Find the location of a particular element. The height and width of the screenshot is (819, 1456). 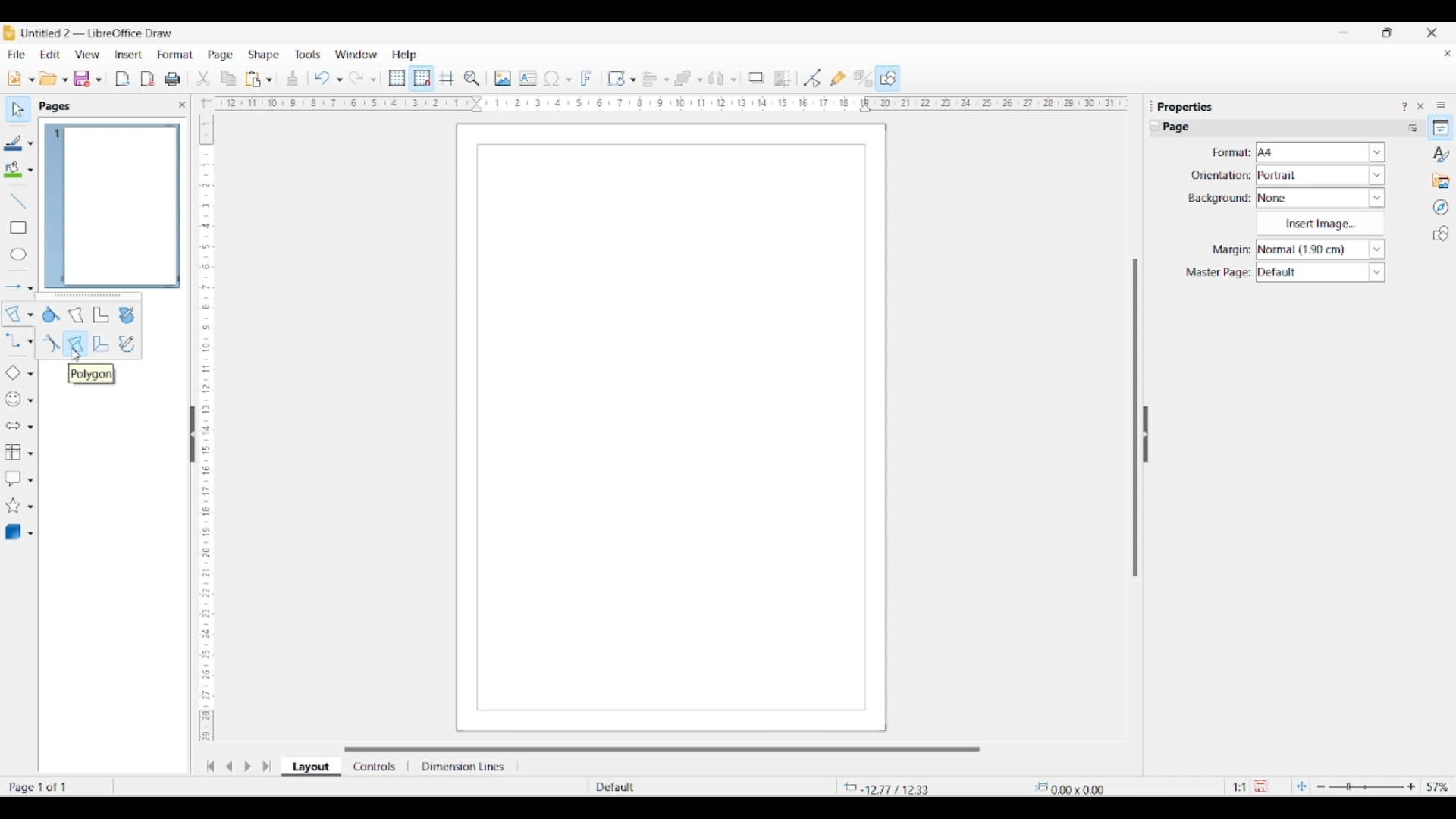

Indicates master page settings is located at coordinates (1217, 273).